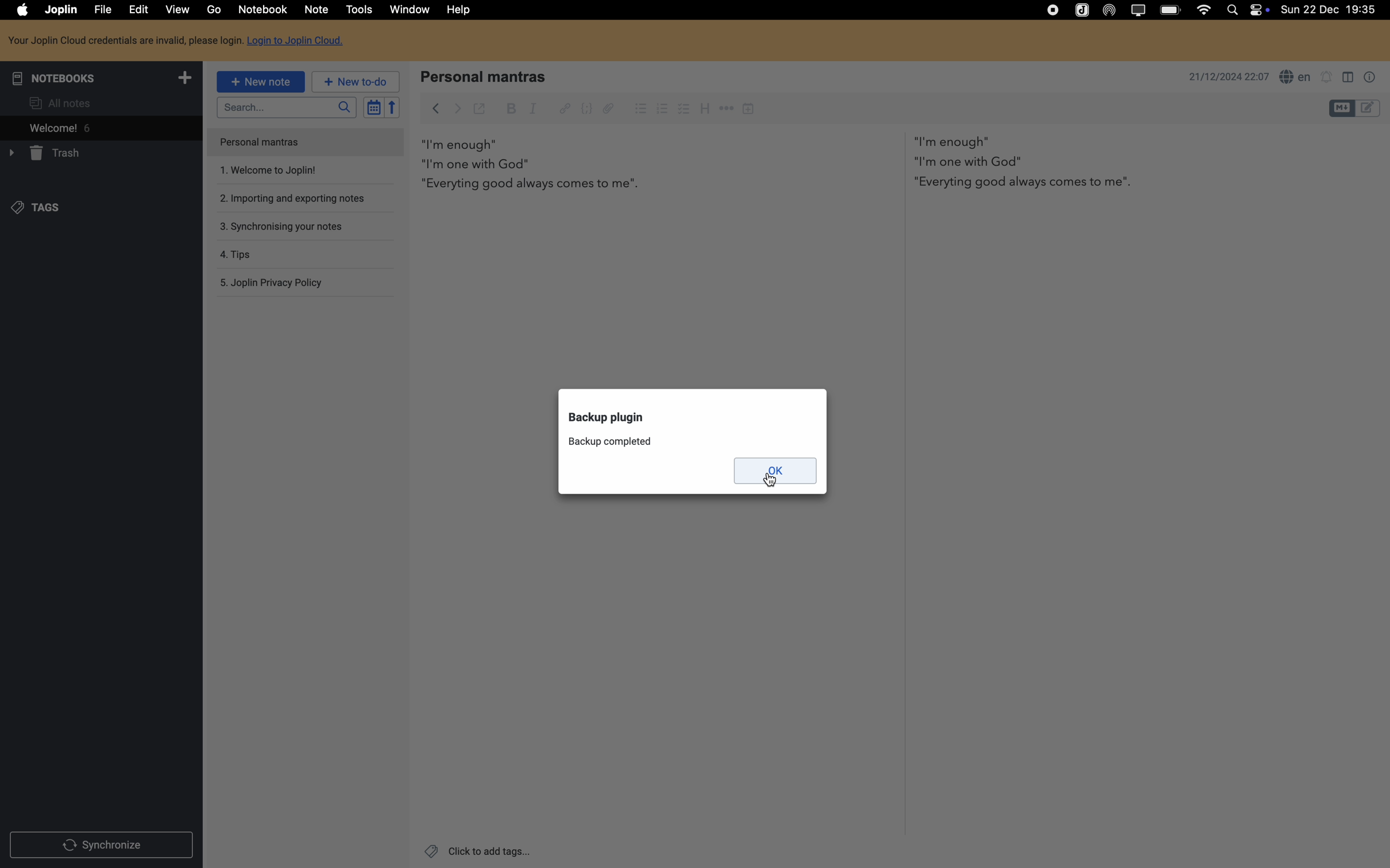 This screenshot has width=1390, height=868. Describe the element at coordinates (261, 82) in the screenshot. I see `new note` at that location.